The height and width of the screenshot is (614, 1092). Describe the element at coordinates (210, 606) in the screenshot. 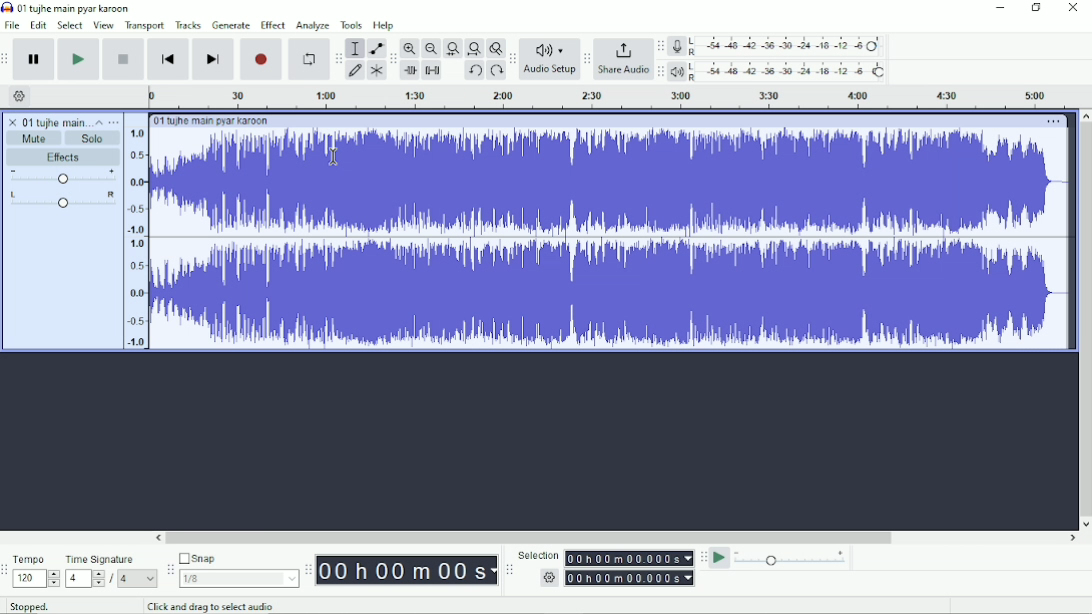

I see `Click and drag to select audio` at that location.